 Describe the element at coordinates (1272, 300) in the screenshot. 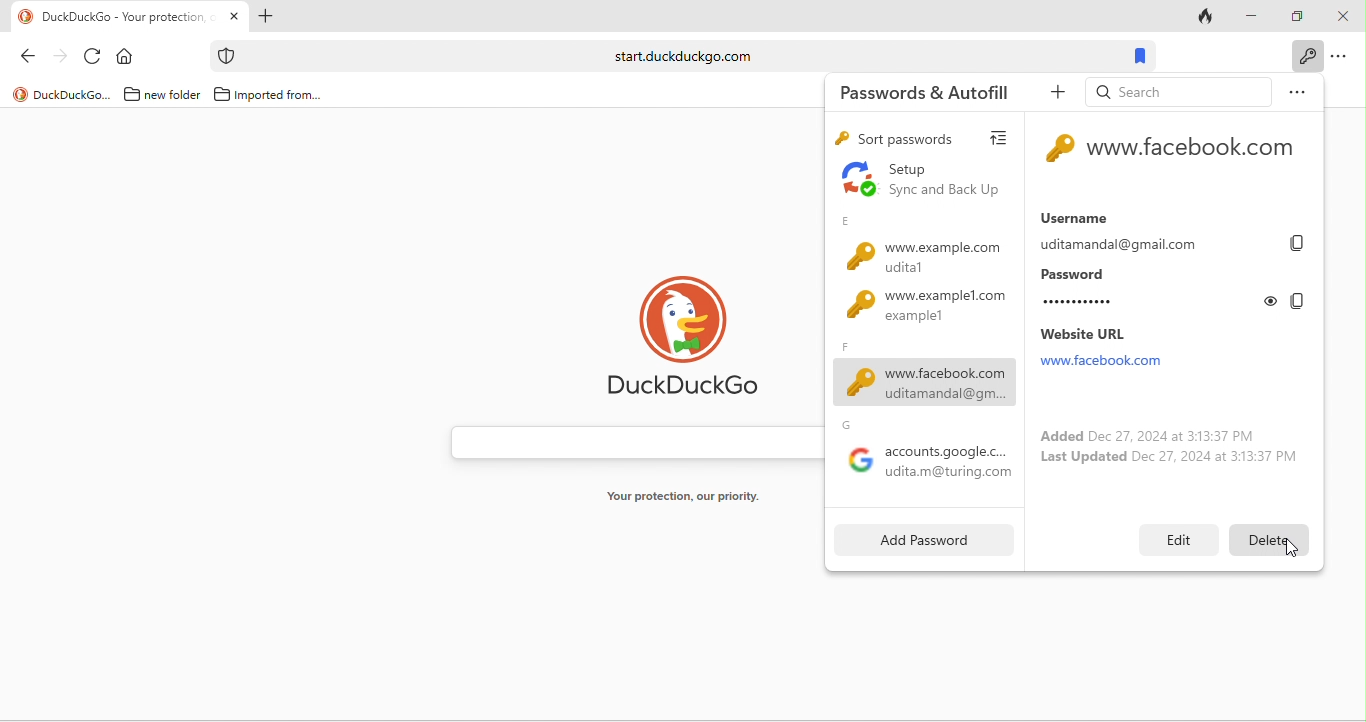

I see `show password` at that location.